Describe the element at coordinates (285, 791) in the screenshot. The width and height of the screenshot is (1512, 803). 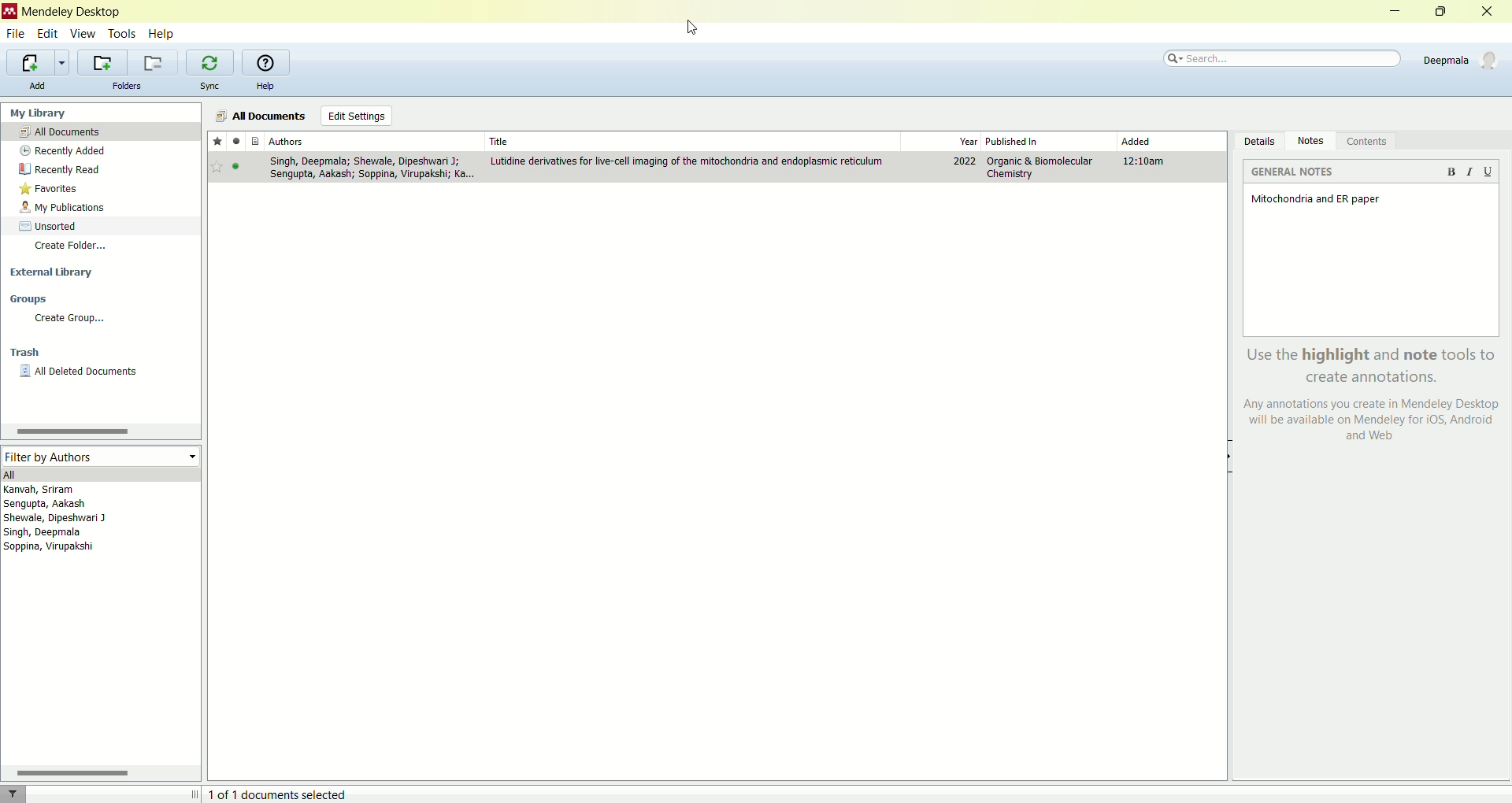
I see `1 of 1 documents selected` at that location.